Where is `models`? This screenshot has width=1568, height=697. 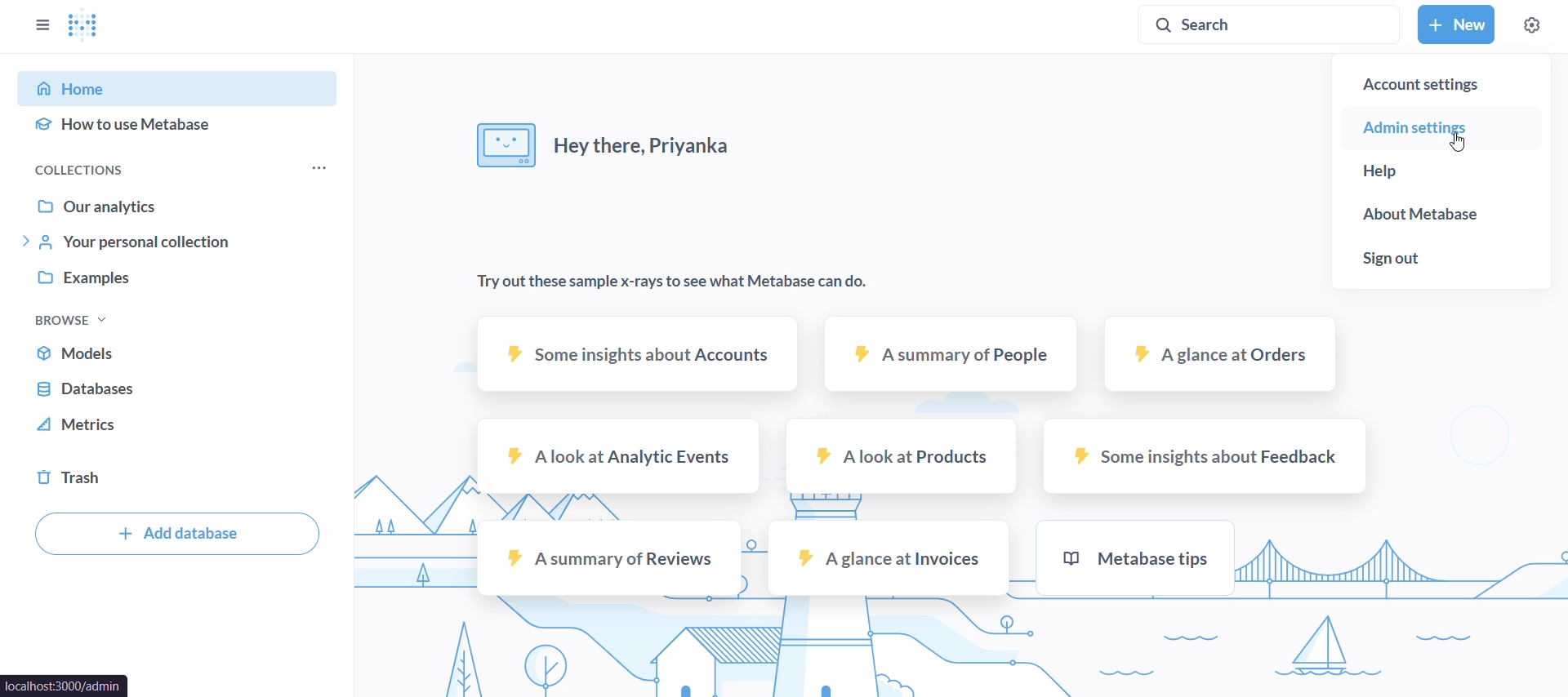
models is located at coordinates (179, 352).